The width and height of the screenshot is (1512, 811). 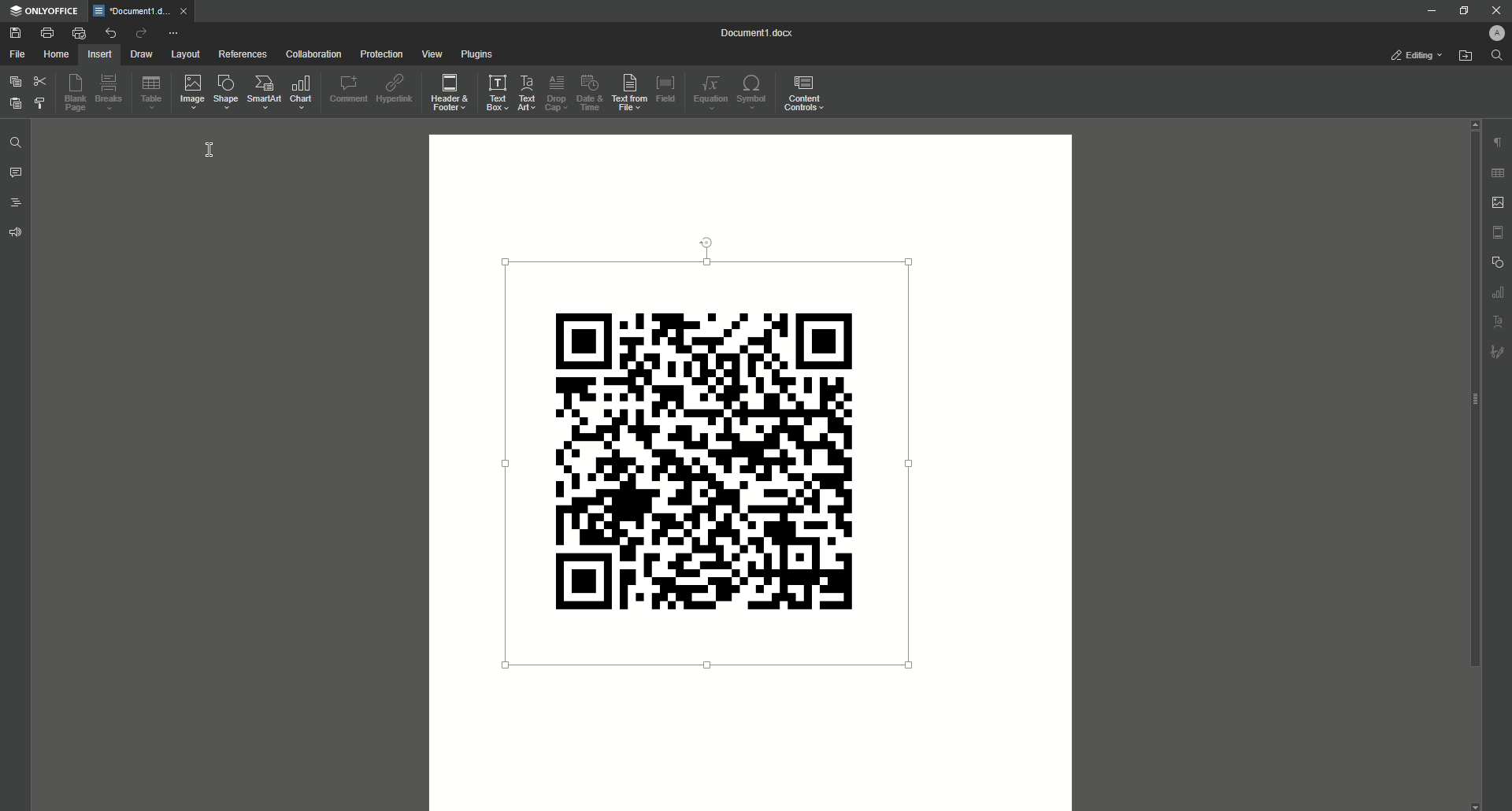 What do you see at coordinates (152, 93) in the screenshot?
I see `Table` at bounding box center [152, 93].